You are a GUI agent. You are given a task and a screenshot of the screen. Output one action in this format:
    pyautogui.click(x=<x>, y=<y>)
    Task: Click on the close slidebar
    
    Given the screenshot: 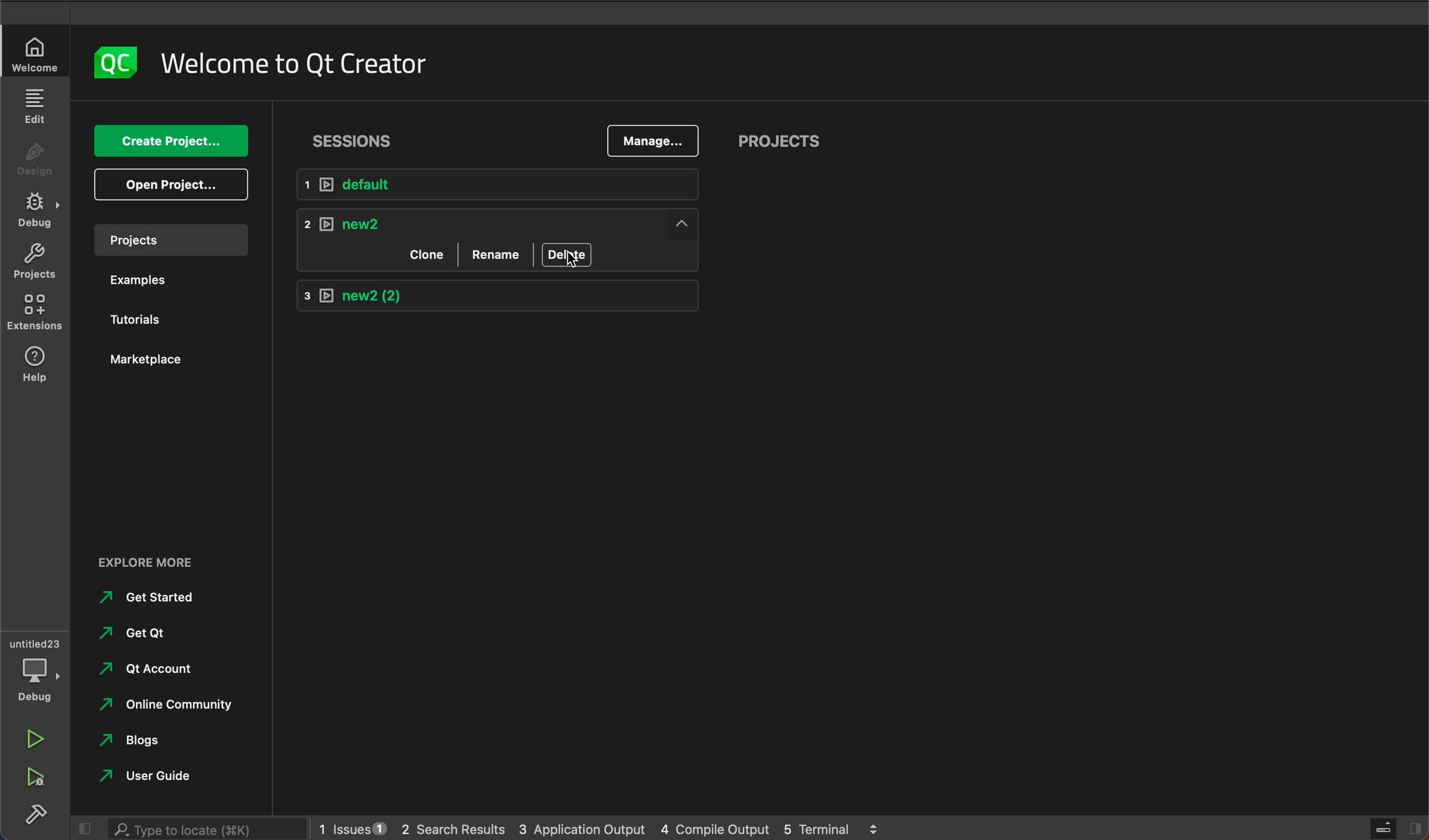 What is the action you would take?
    pyautogui.click(x=1393, y=828)
    